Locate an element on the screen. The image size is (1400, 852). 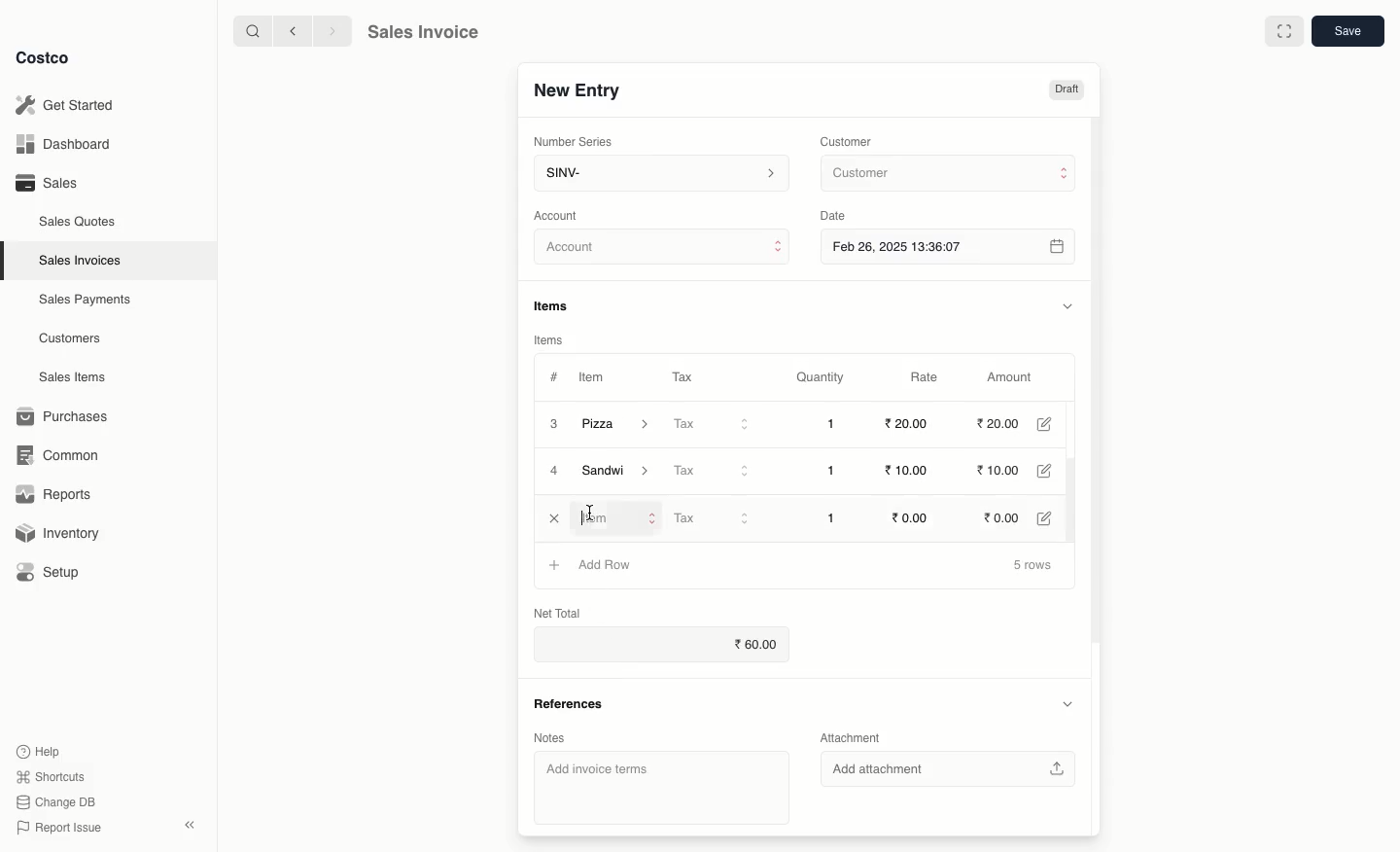
3 is located at coordinates (552, 423).